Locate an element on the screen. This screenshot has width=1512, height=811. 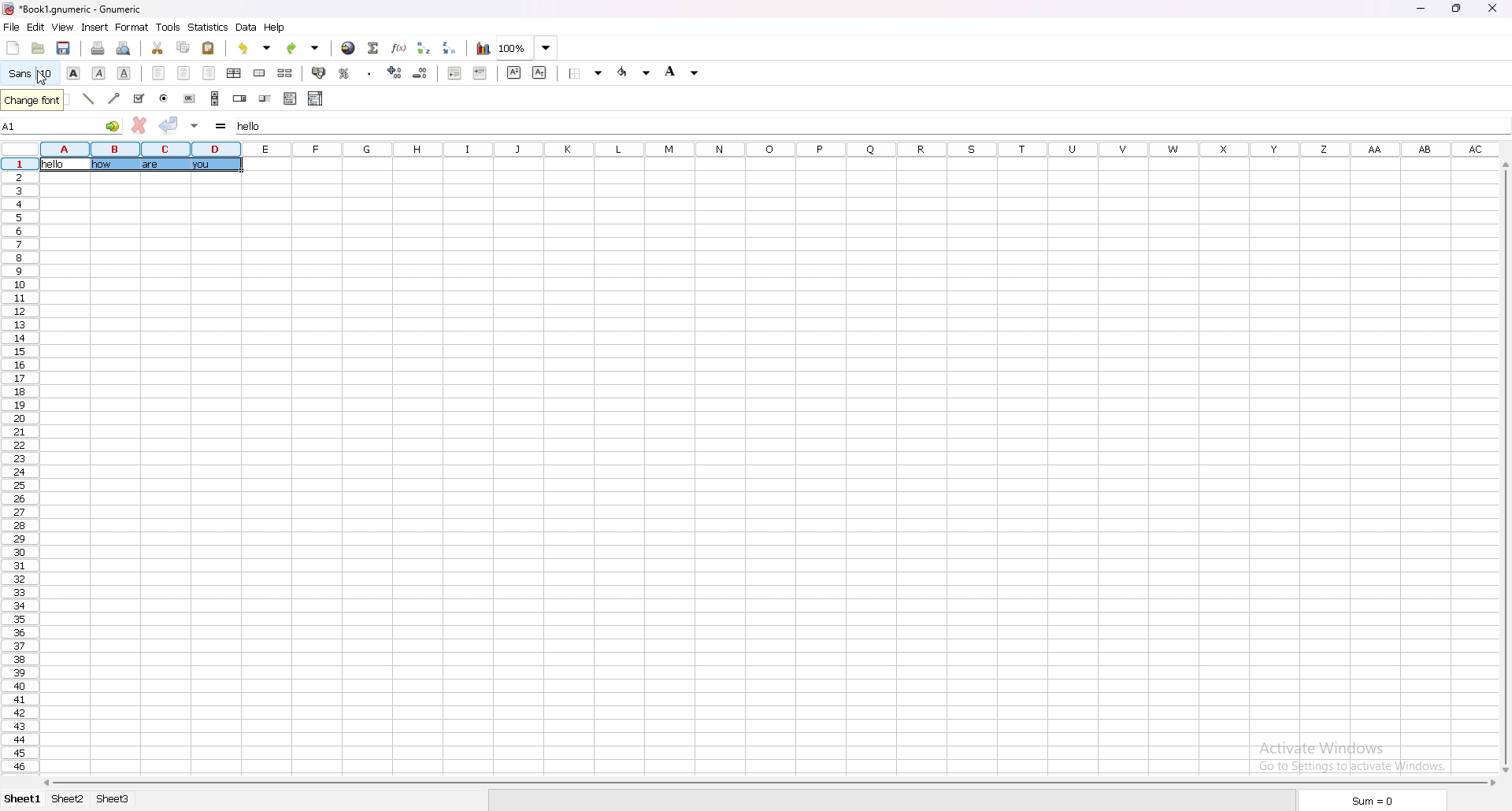
selected cell rows is located at coordinates (139, 148).